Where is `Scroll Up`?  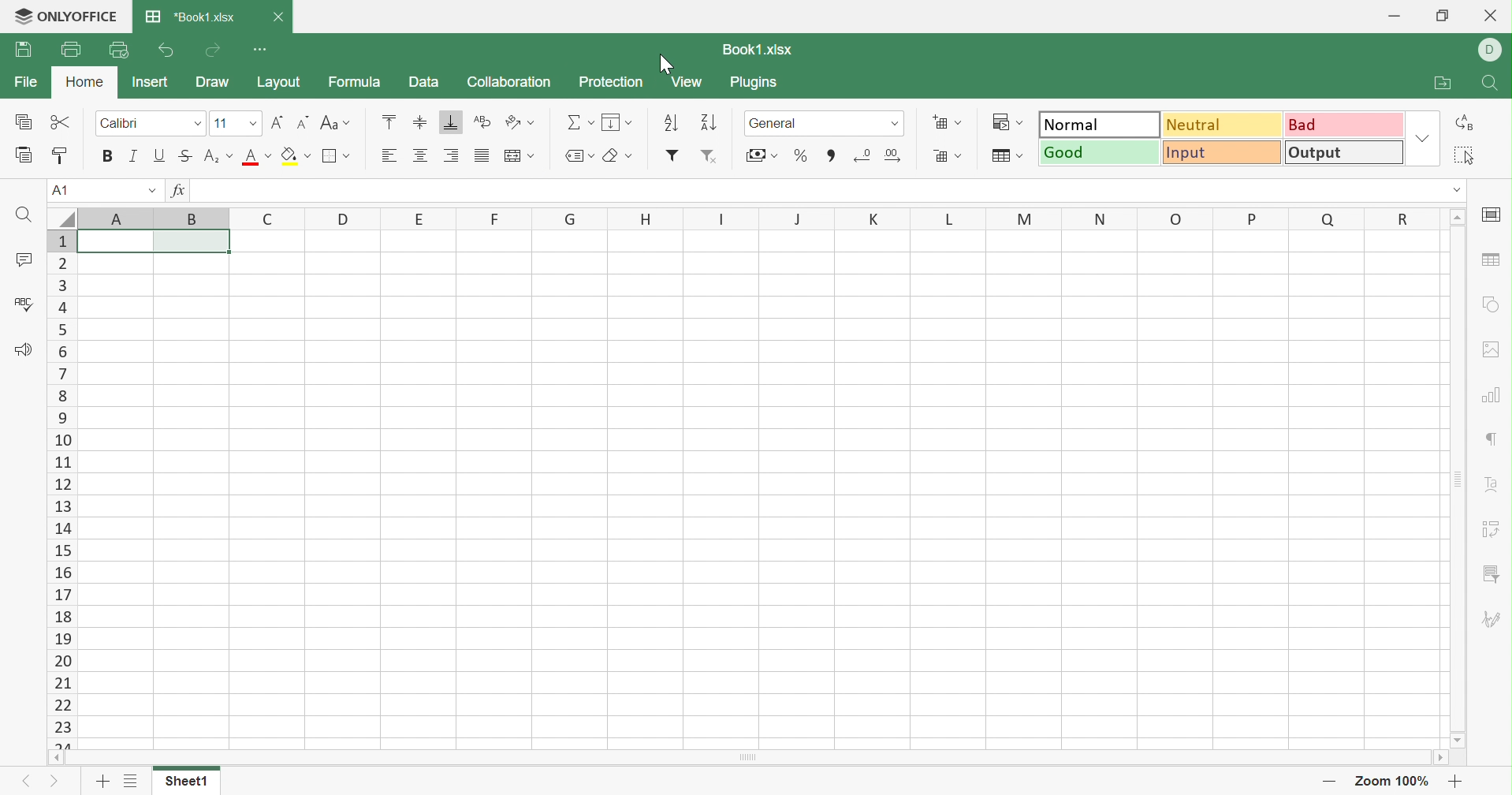
Scroll Up is located at coordinates (1458, 217).